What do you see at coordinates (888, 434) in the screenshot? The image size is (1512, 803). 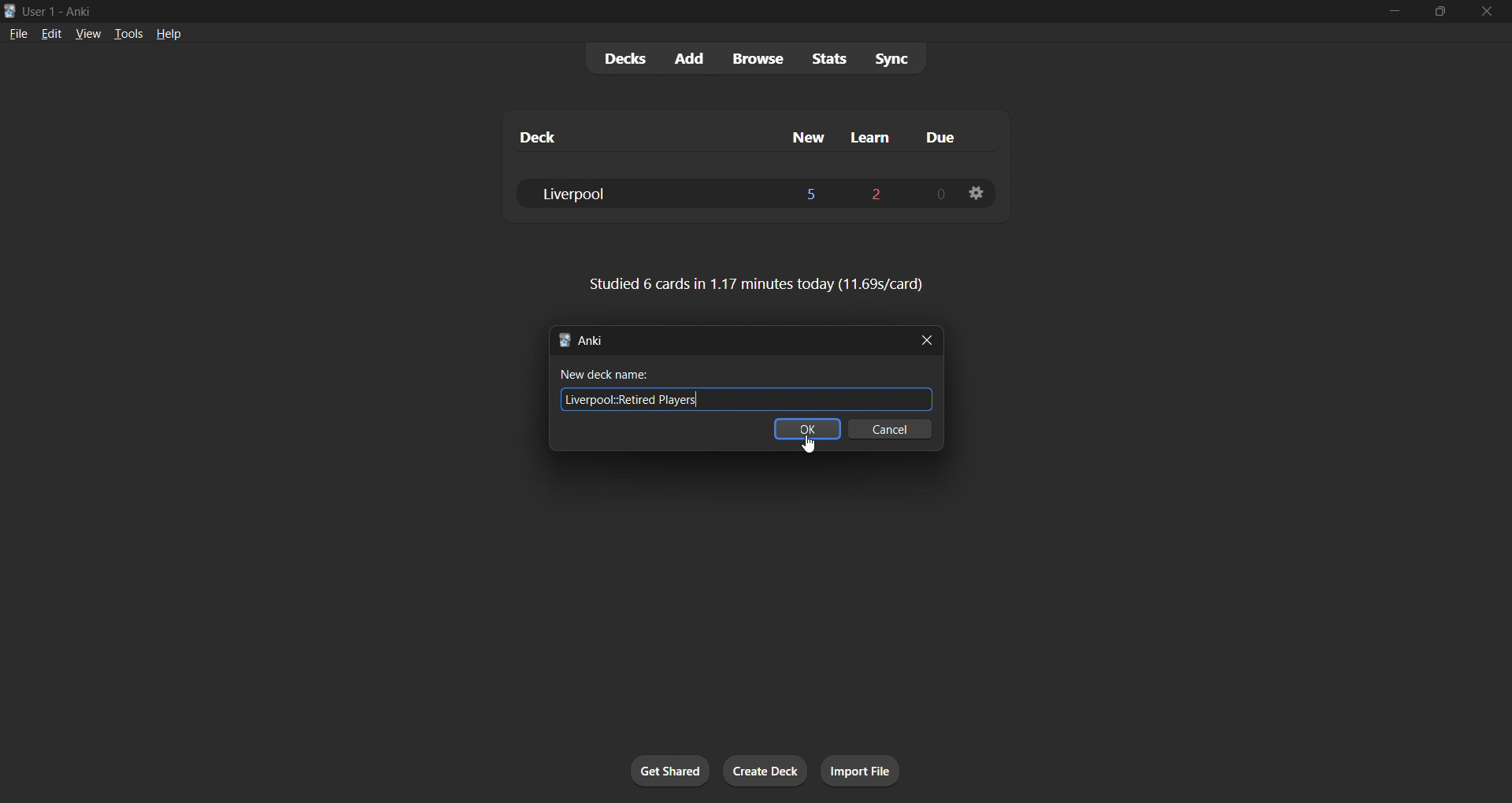 I see `cancel` at bounding box center [888, 434].